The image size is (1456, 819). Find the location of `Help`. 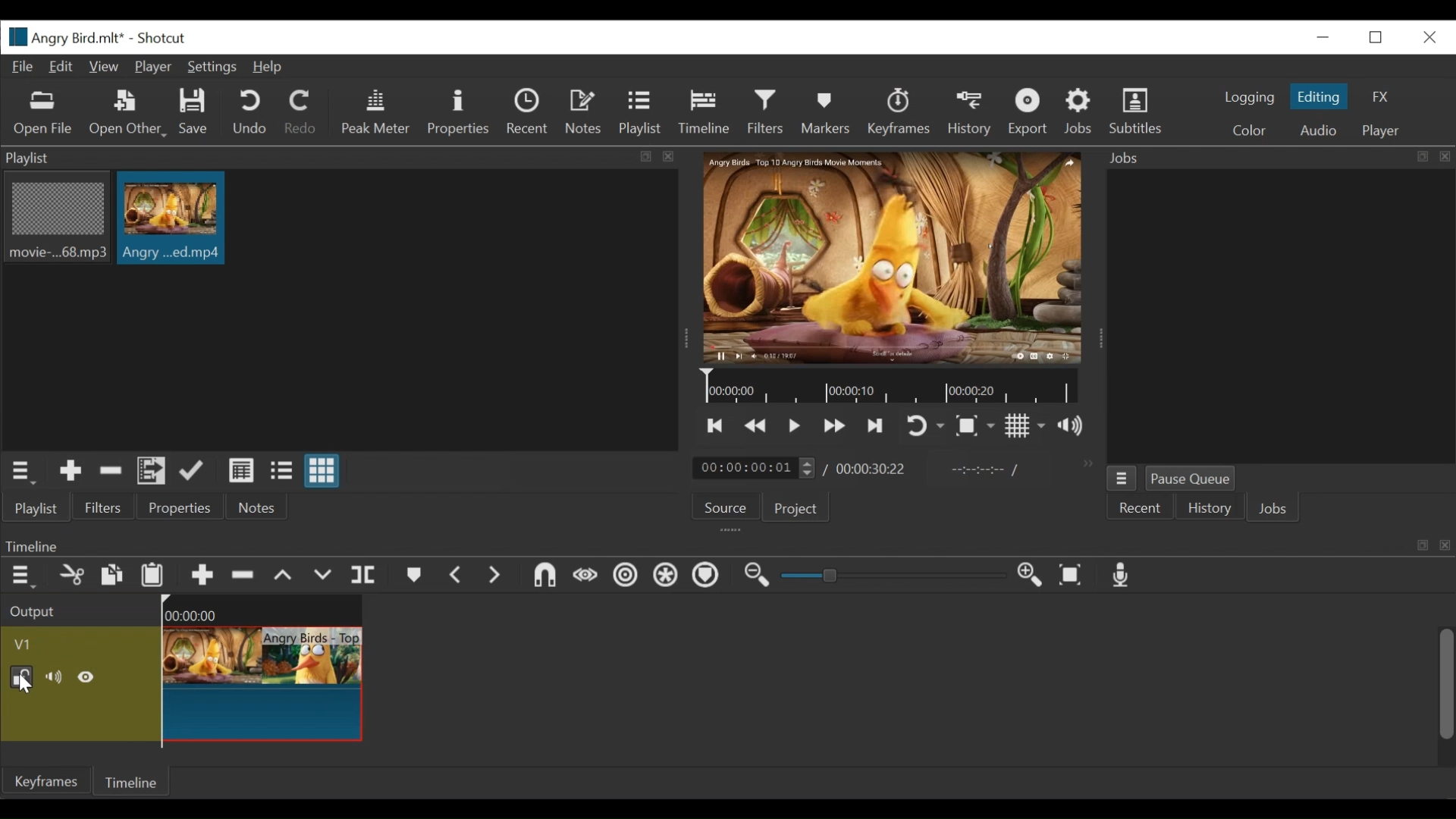

Help is located at coordinates (269, 68).